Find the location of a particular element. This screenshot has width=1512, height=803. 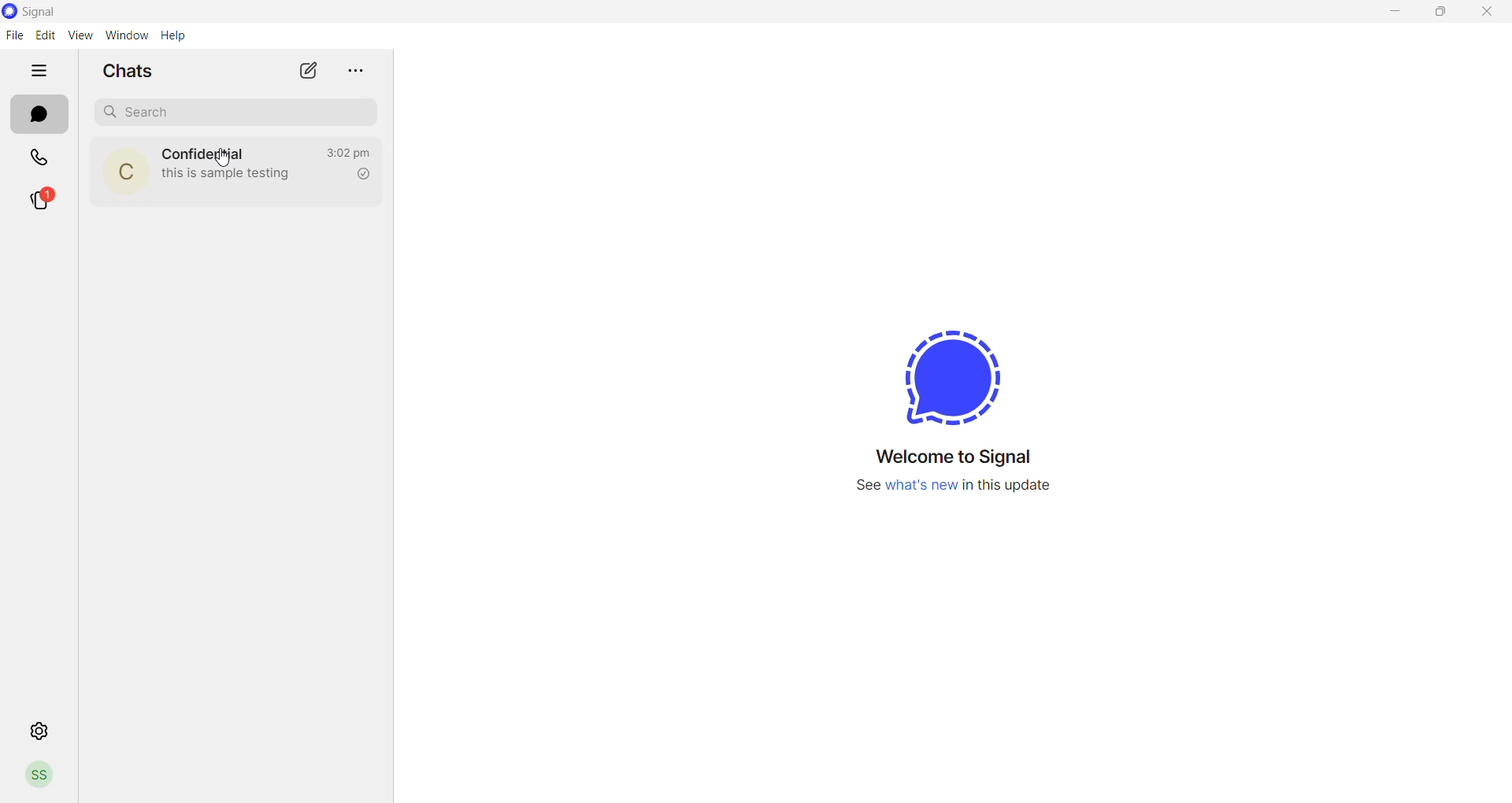

minimize is located at coordinates (1395, 13).